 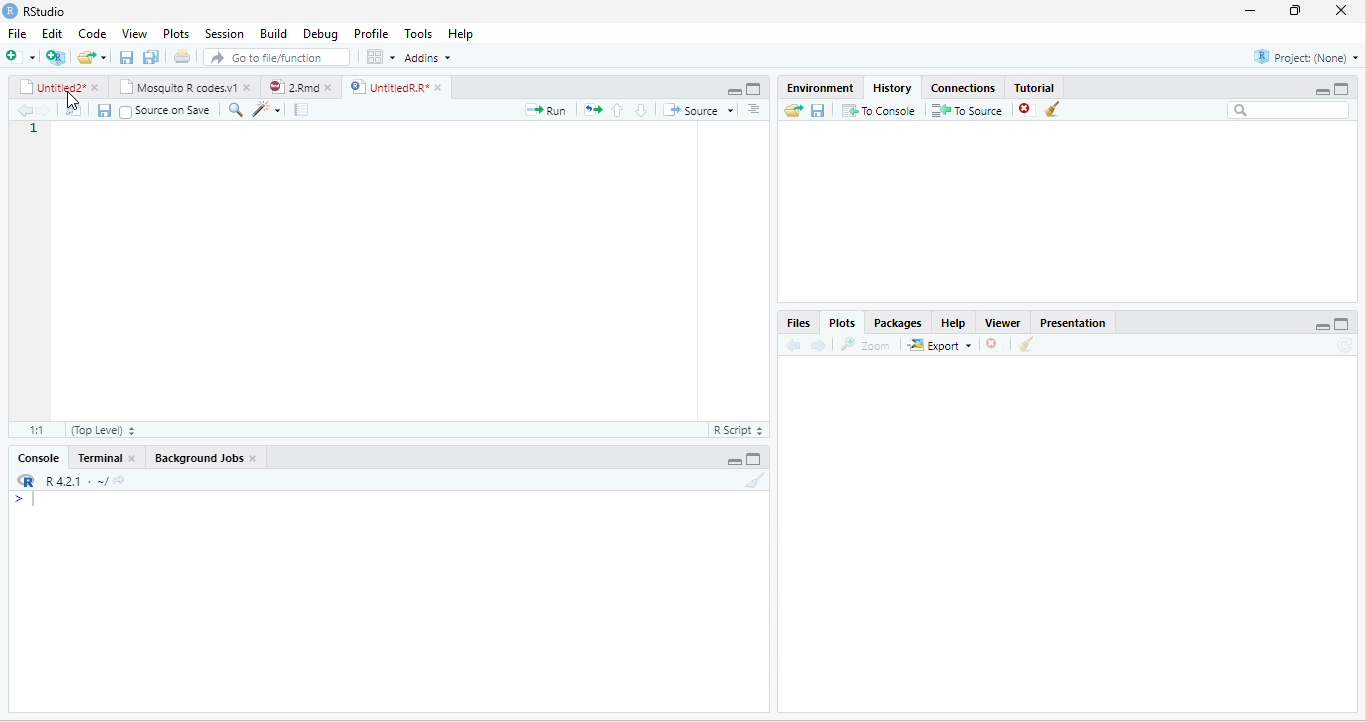 I want to click on grid, so click(x=380, y=58).